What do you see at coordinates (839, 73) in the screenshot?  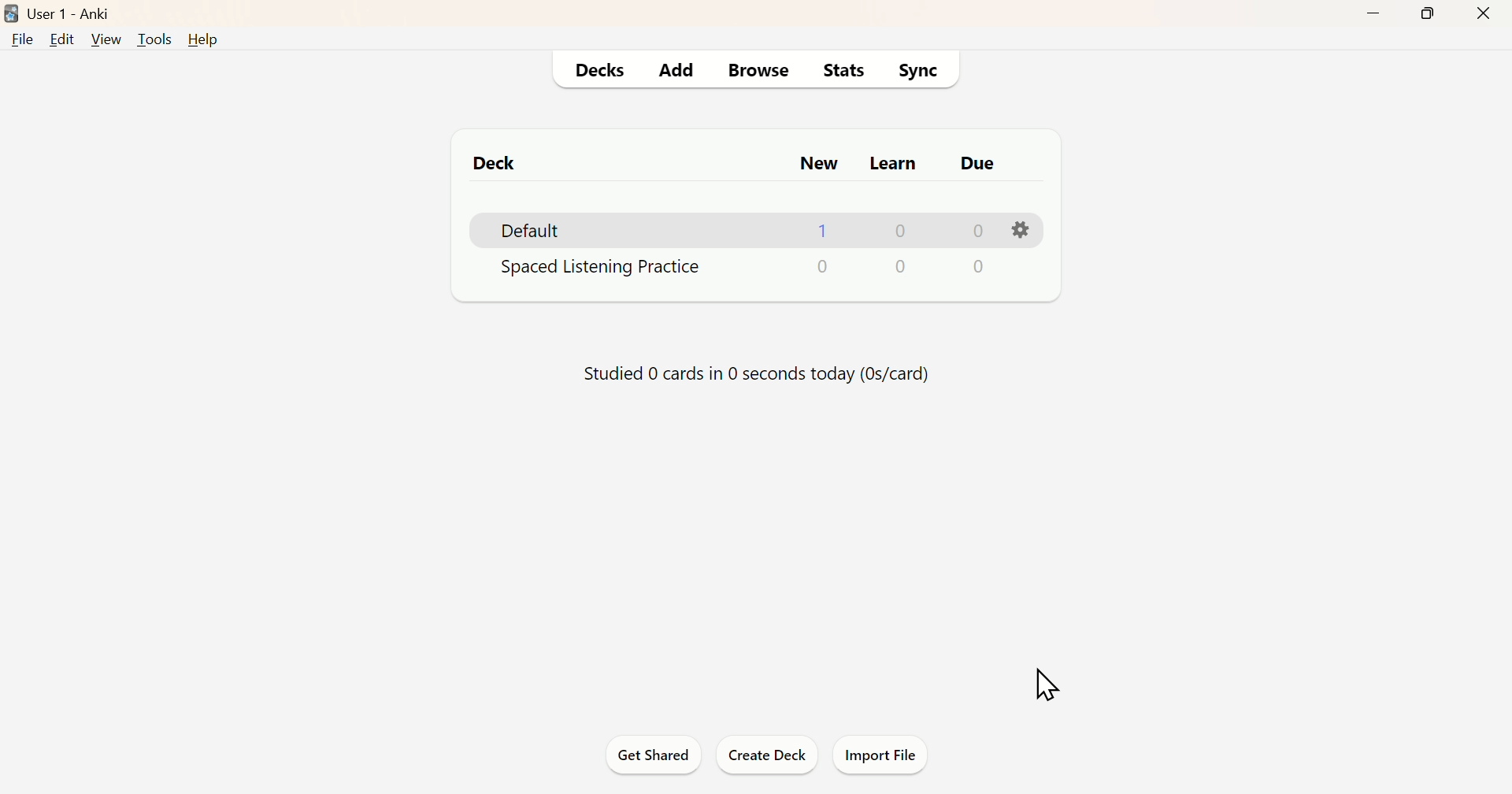 I see `Stats` at bounding box center [839, 73].